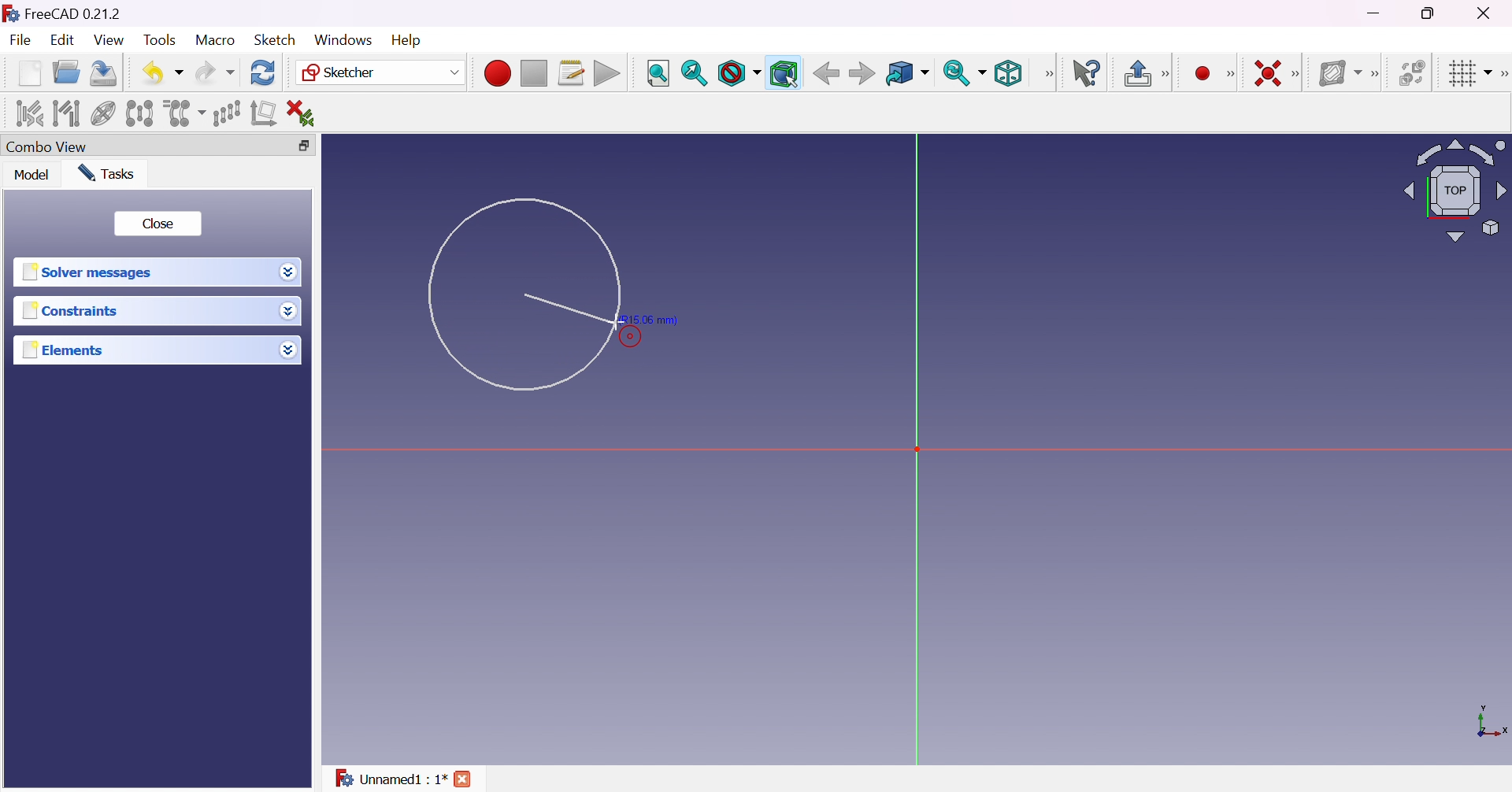  I want to click on Isometric, so click(1007, 75).